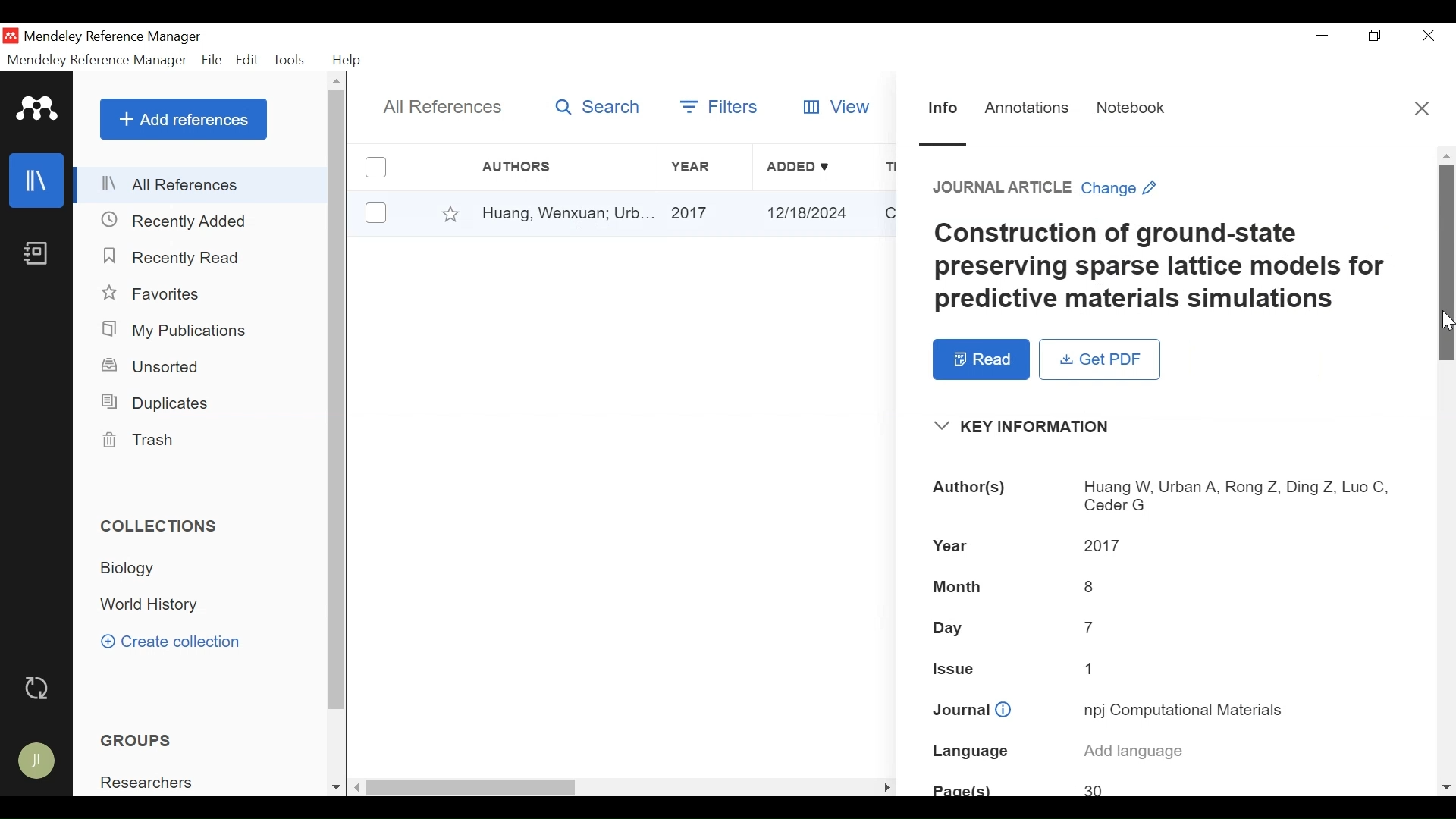 This screenshot has width=1456, height=819. I want to click on Scroll down, so click(334, 787).